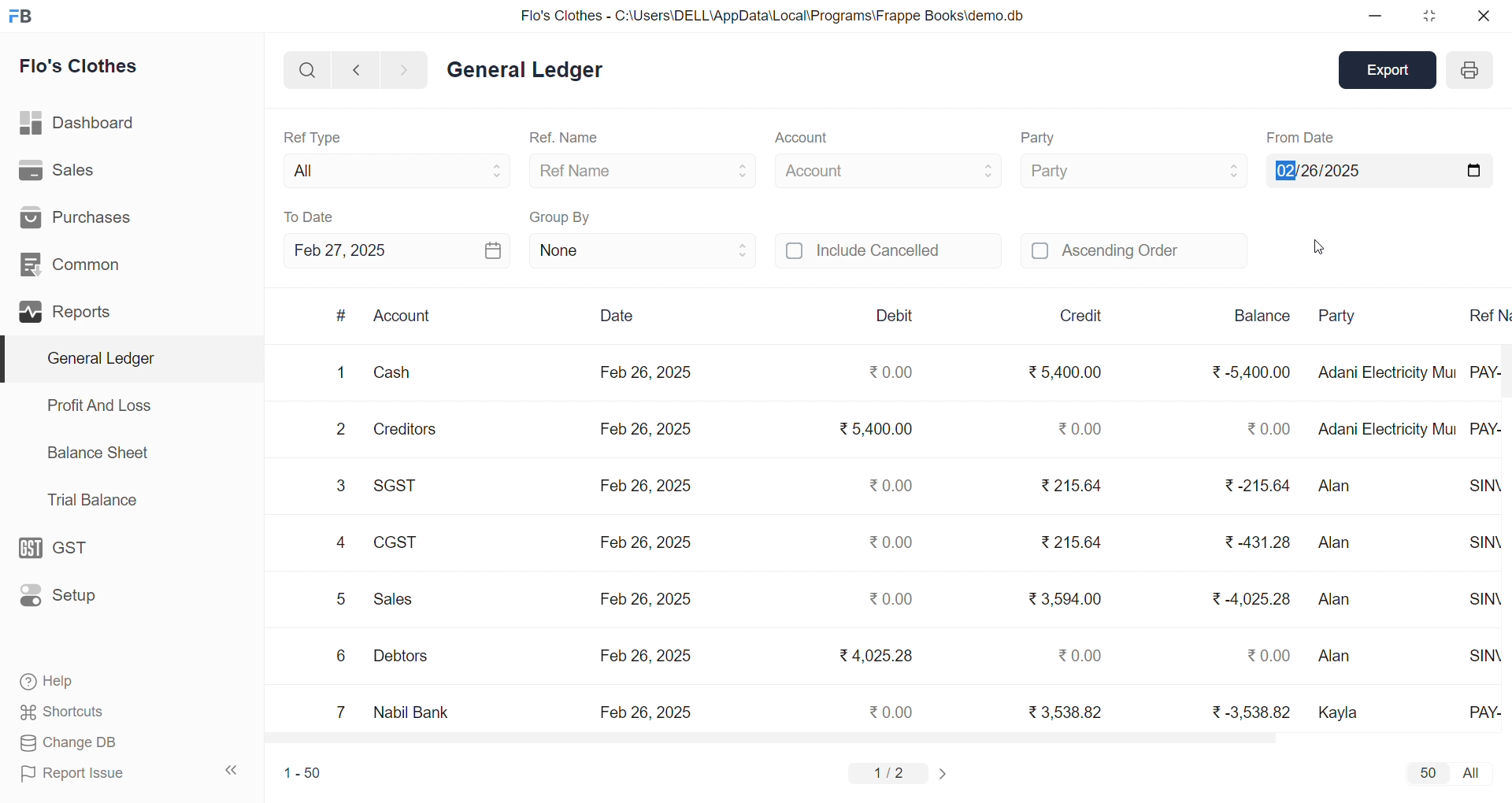 This screenshot has height=803, width=1512. Describe the element at coordinates (649, 487) in the screenshot. I see `Feb 26, 2025` at that location.